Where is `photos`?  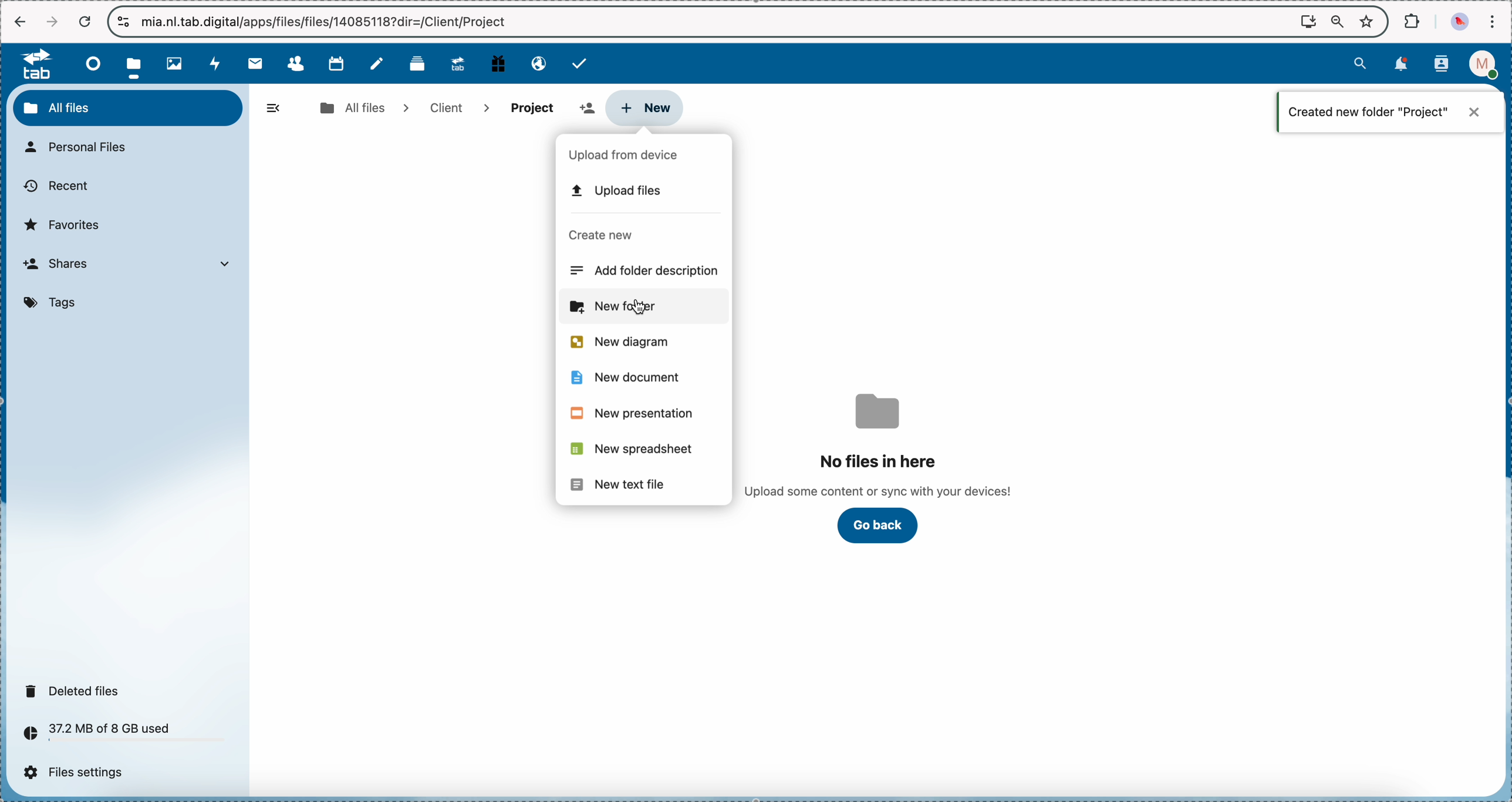
photos is located at coordinates (178, 64).